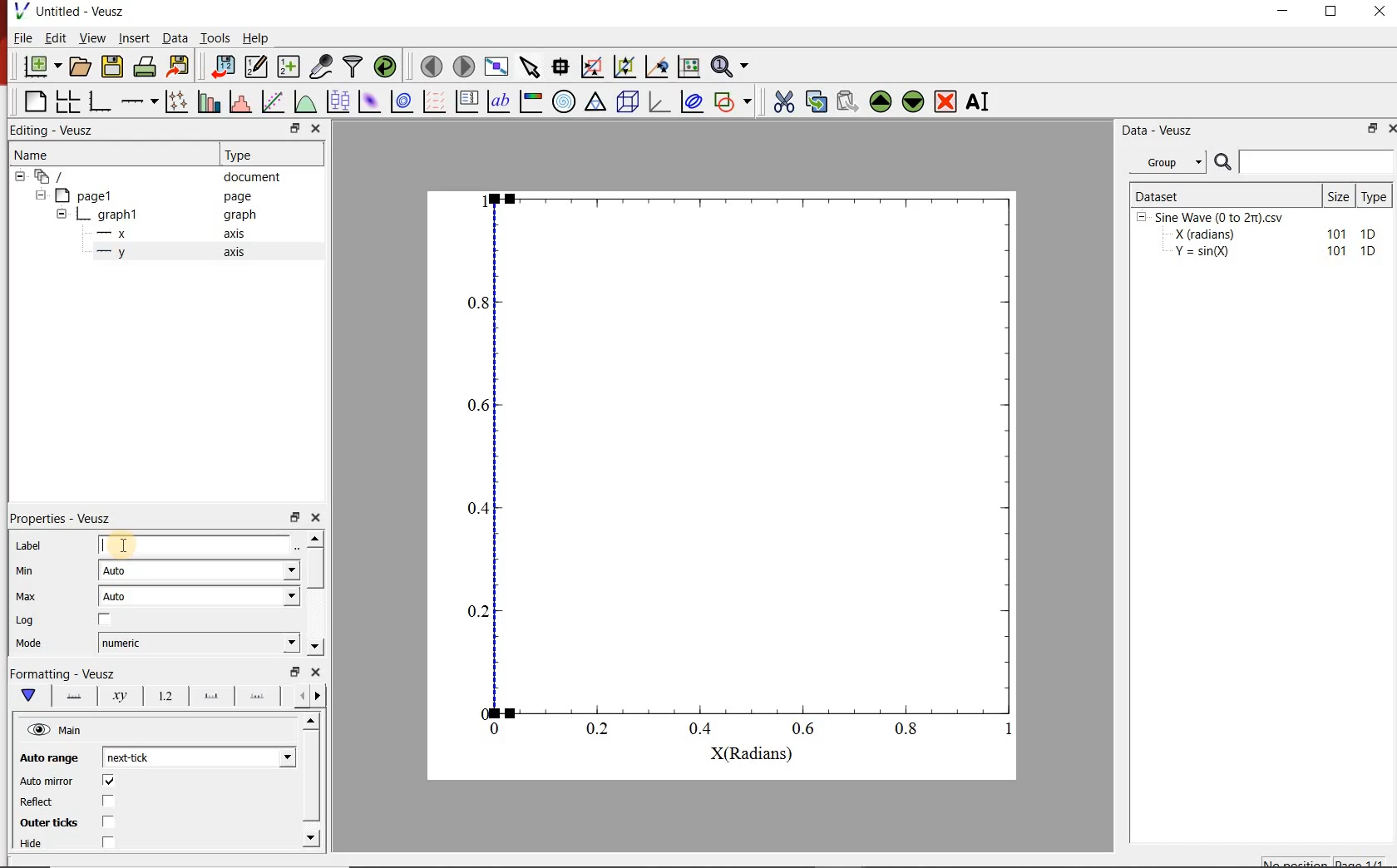 This screenshot has height=868, width=1397. What do you see at coordinates (1377, 195) in the screenshot?
I see `Type` at bounding box center [1377, 195].